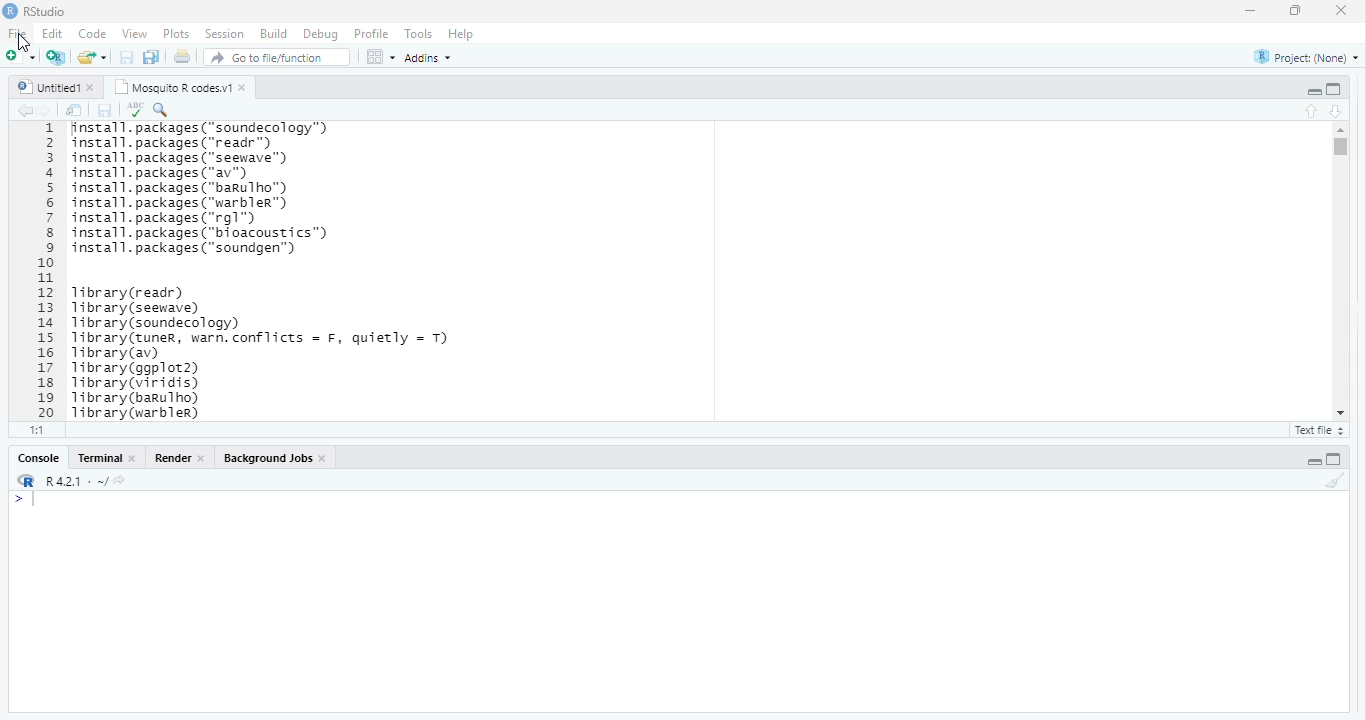 Image resolution: width=1366 pixels, height=720 pixels. I want to click on 1 2 3 4 5 6 7 8 9 10 11 12 13 14 15 16 17 18 19 20, so click(49, 271).